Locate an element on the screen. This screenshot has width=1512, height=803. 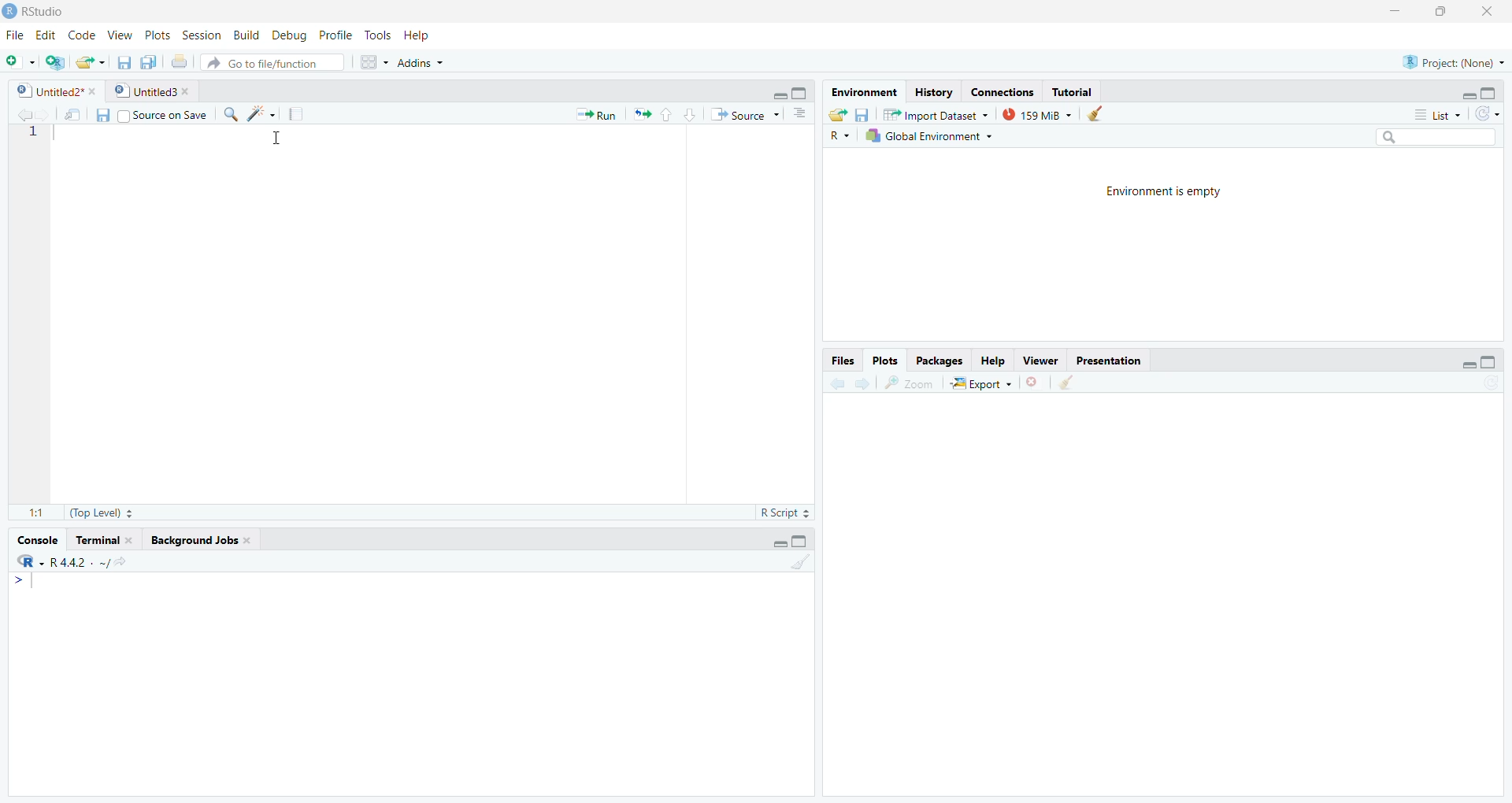
Tutorial is located at coordinates (1073, 92).